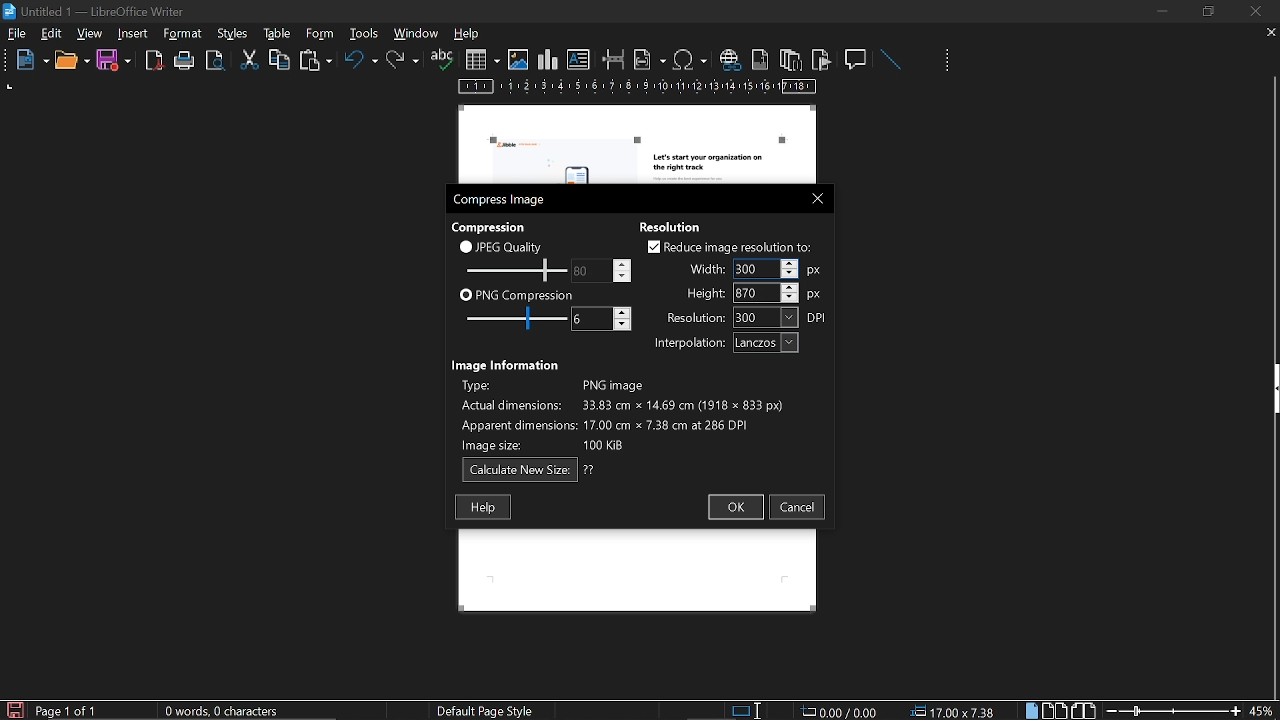 The width and height of the screenshot is (1280, 720). Describe the element at coordinates (758, 59) in the screenshot. I see `insert footnote` at that location.